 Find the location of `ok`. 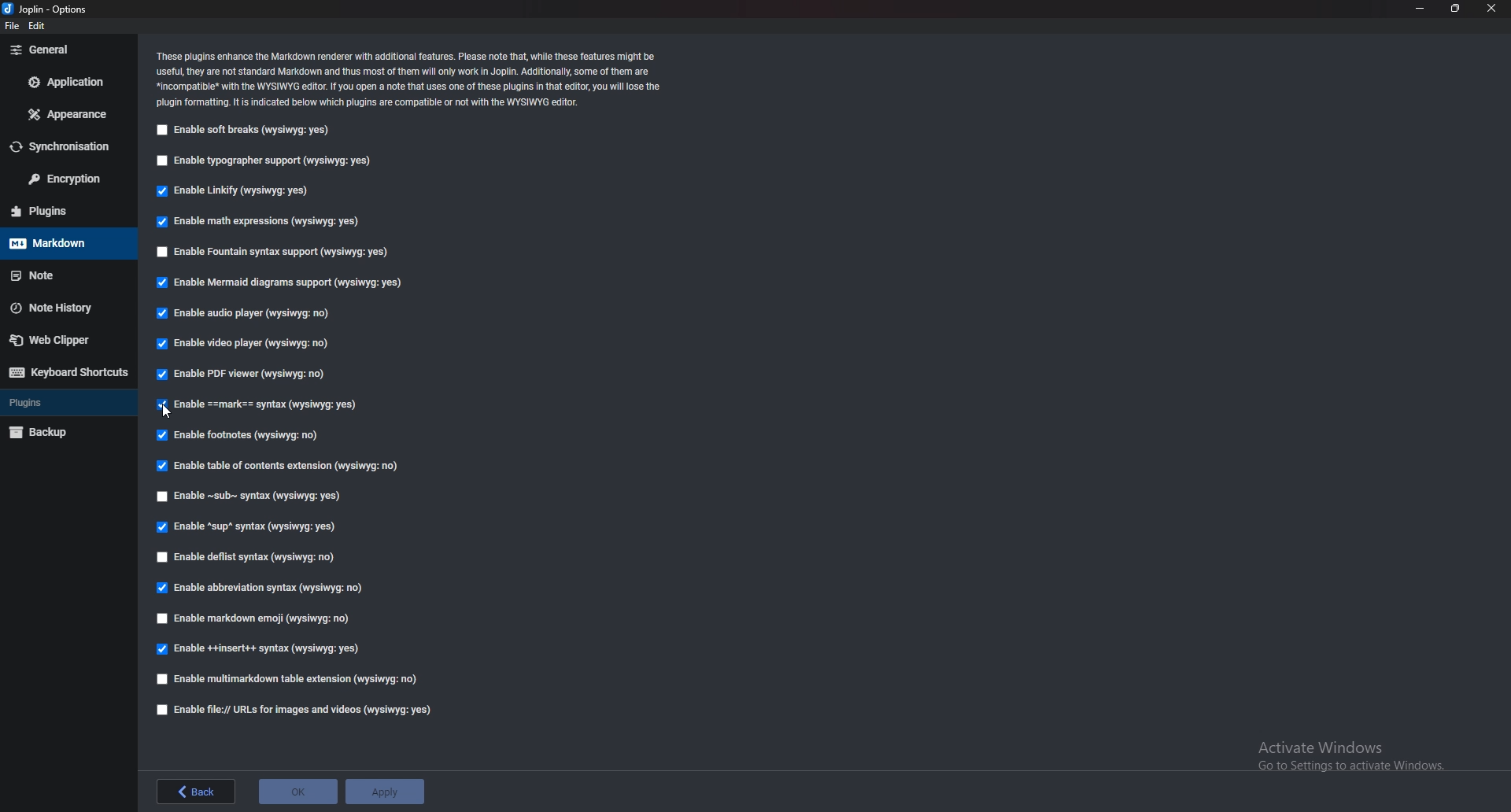

ok is located at coordinates (299, 790).